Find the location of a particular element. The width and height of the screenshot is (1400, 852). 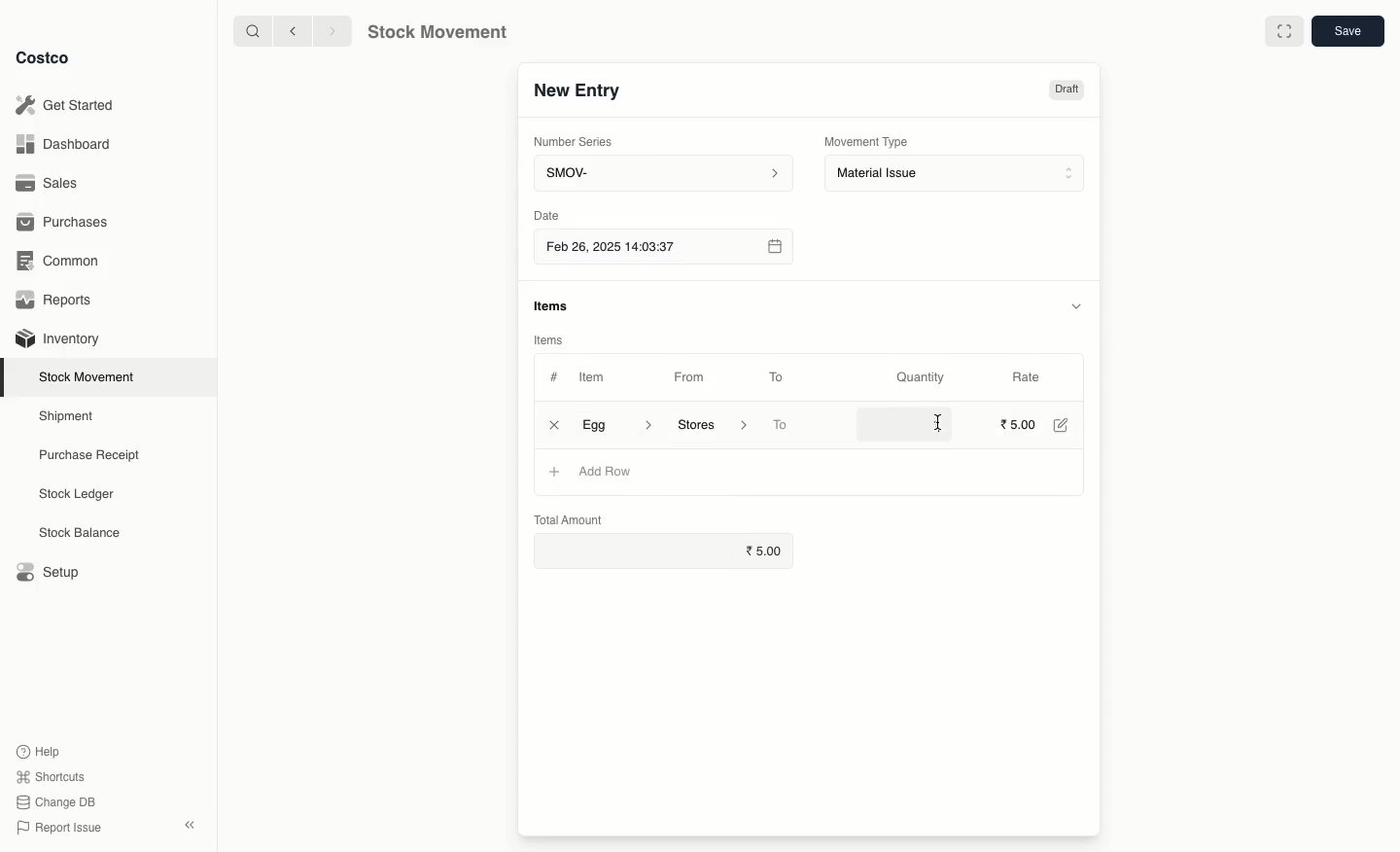

SMOV- is located at coordinates (663, 172).